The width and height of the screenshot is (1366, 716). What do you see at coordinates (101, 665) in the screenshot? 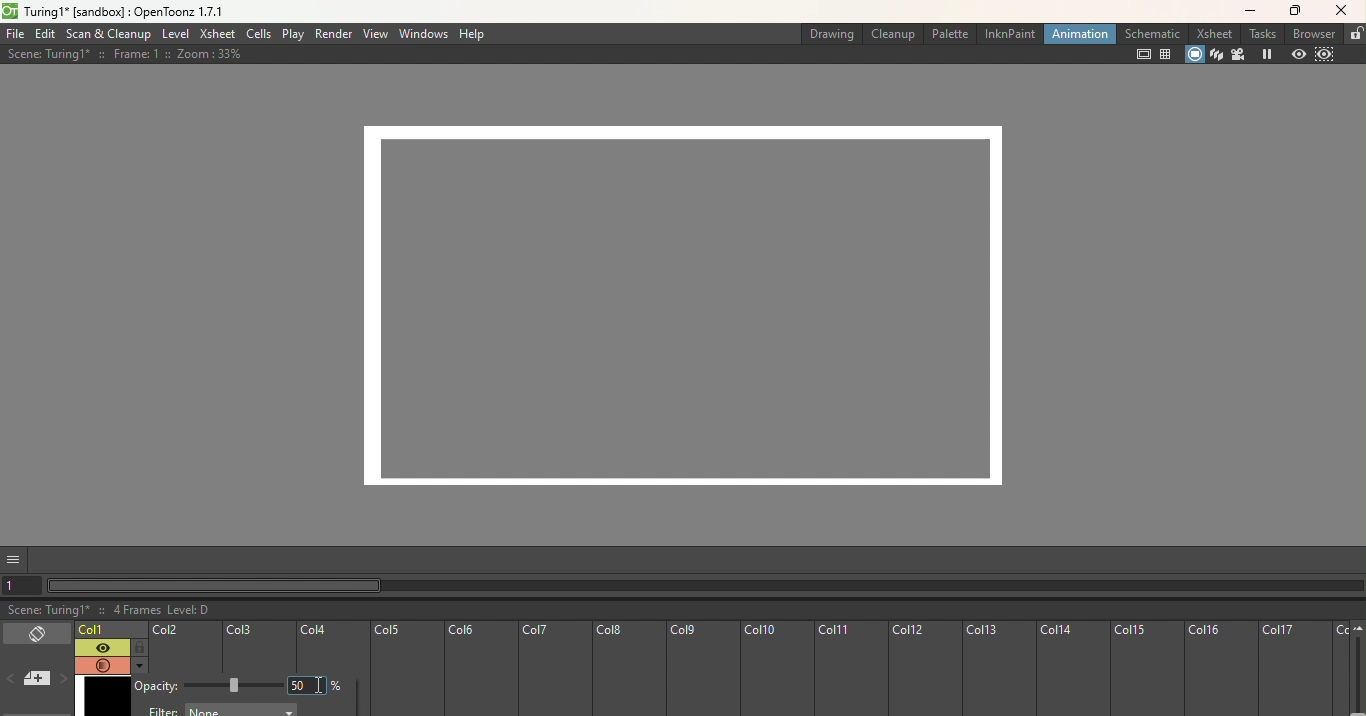
I see `Camera stand visibility toggle` at bounding box center [101, 665].